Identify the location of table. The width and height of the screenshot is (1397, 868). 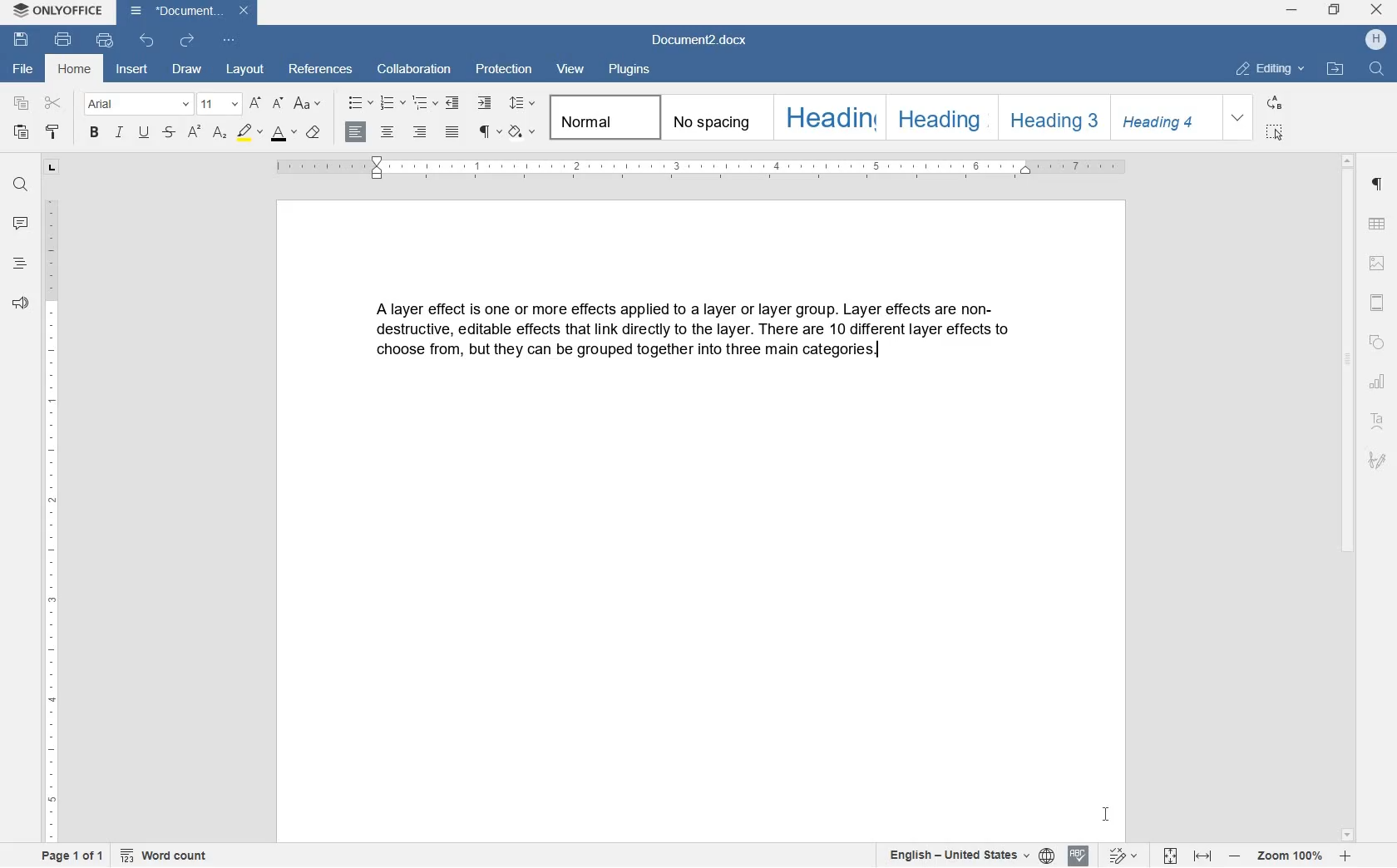
(1377, 224).